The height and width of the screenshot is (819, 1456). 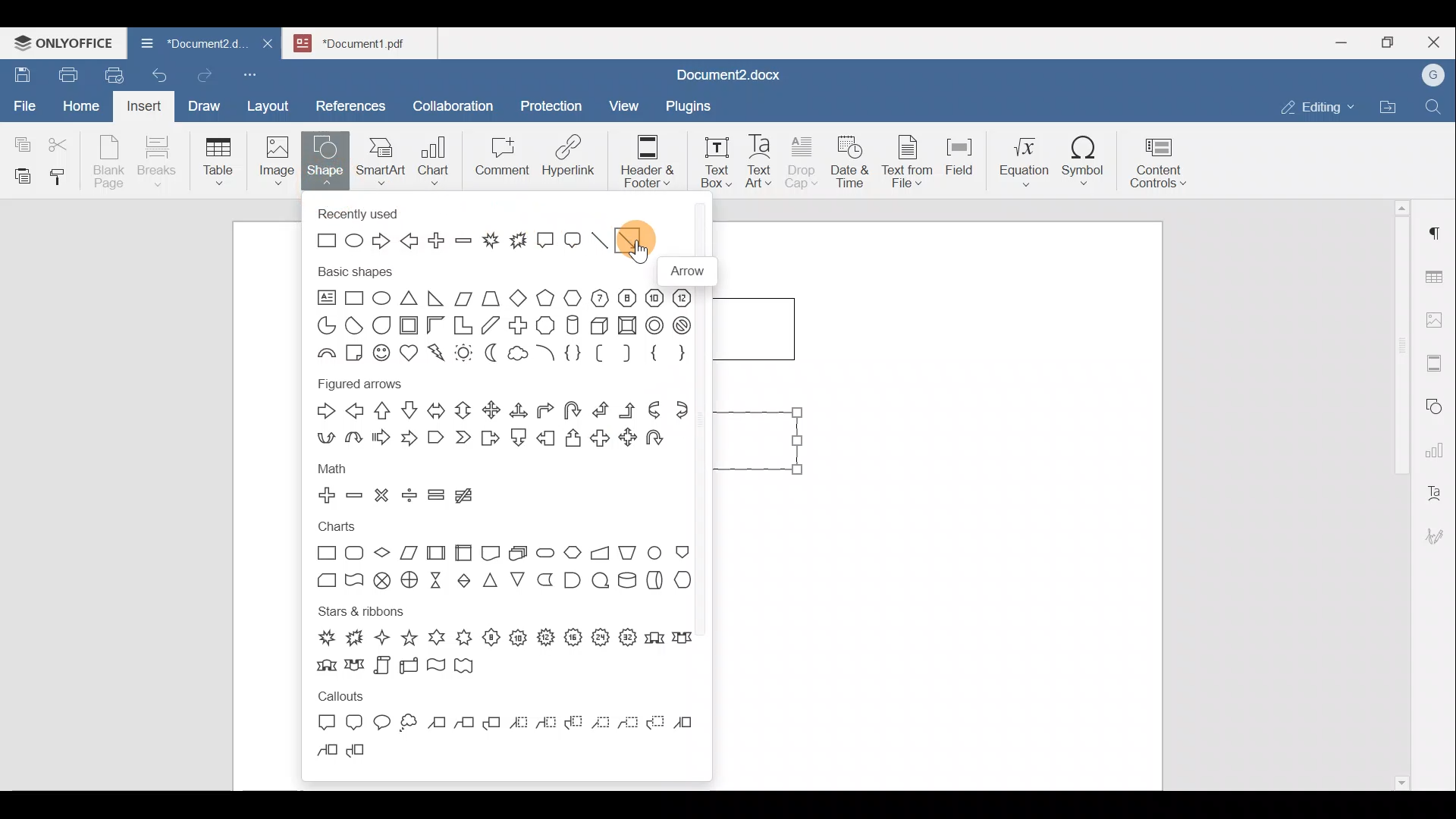 What do you see at coordinates (156, 73) in the screenshot?
I see `Undo` at bounding box center [156, 73].